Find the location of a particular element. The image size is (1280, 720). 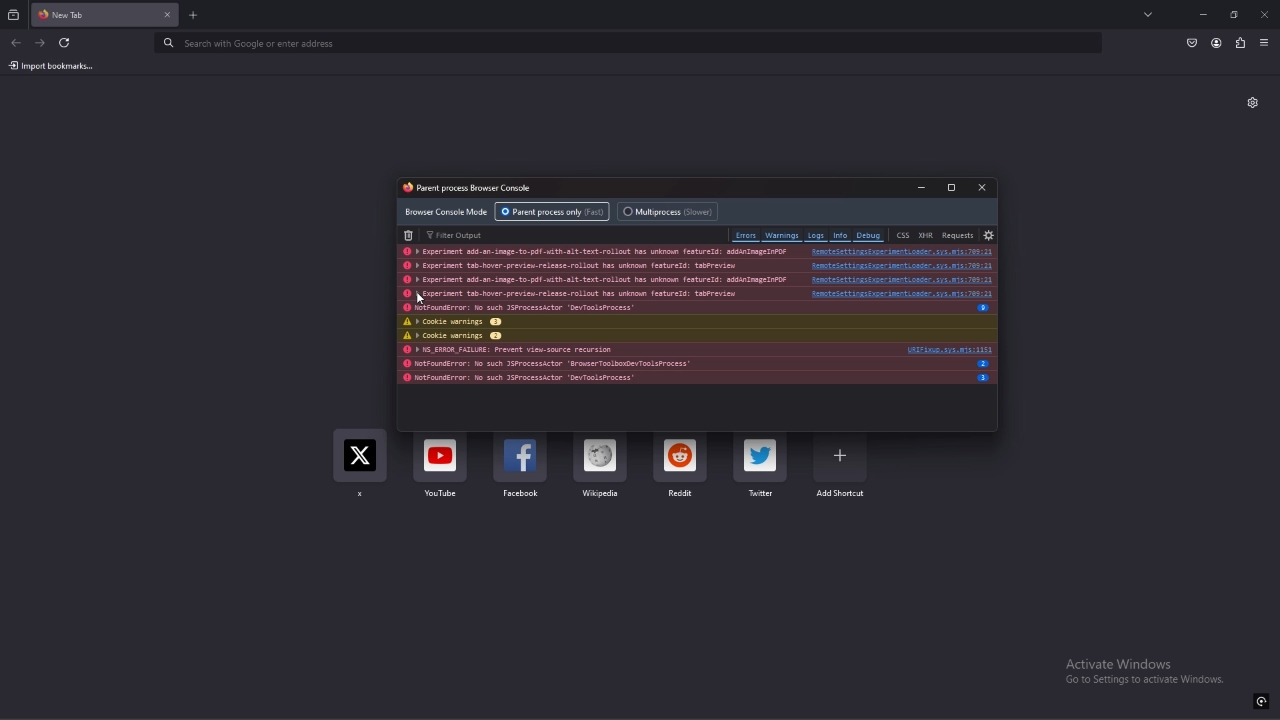

maximize is located at coordinates (952, 188).